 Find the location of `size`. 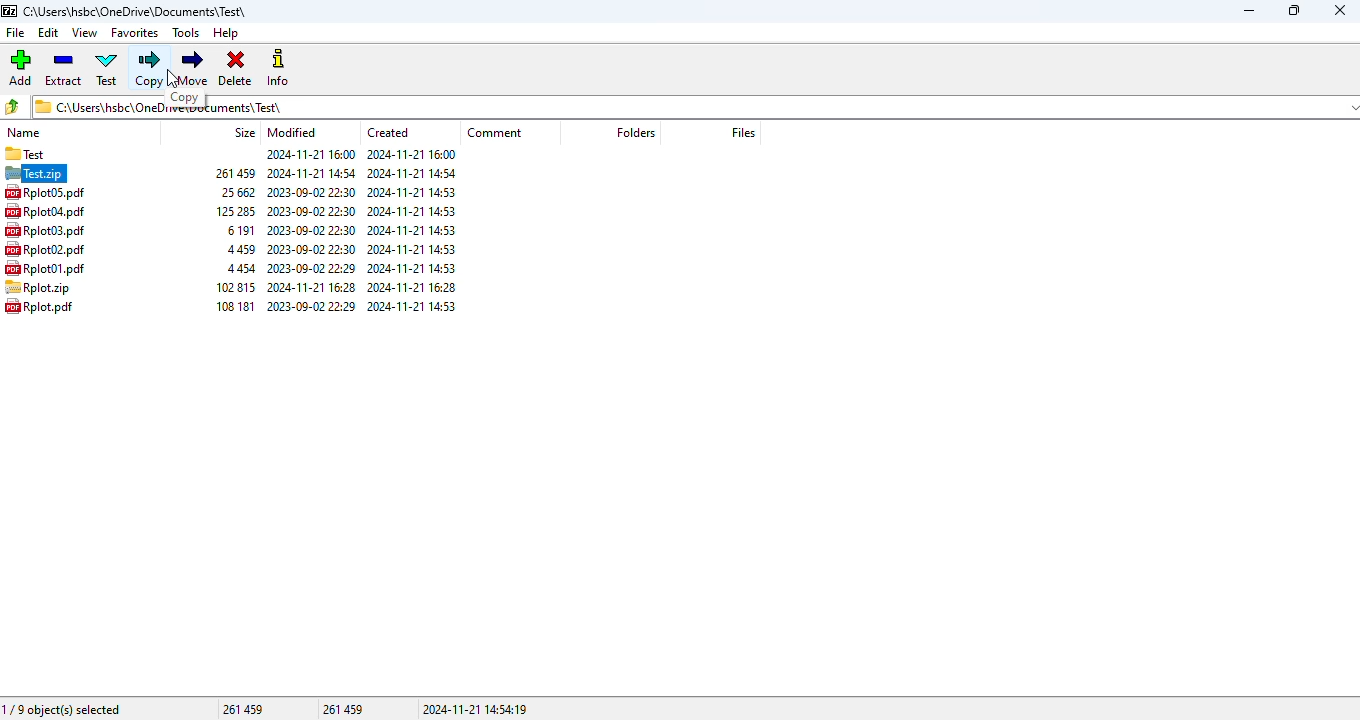

size is located at coordinates (236, 287).